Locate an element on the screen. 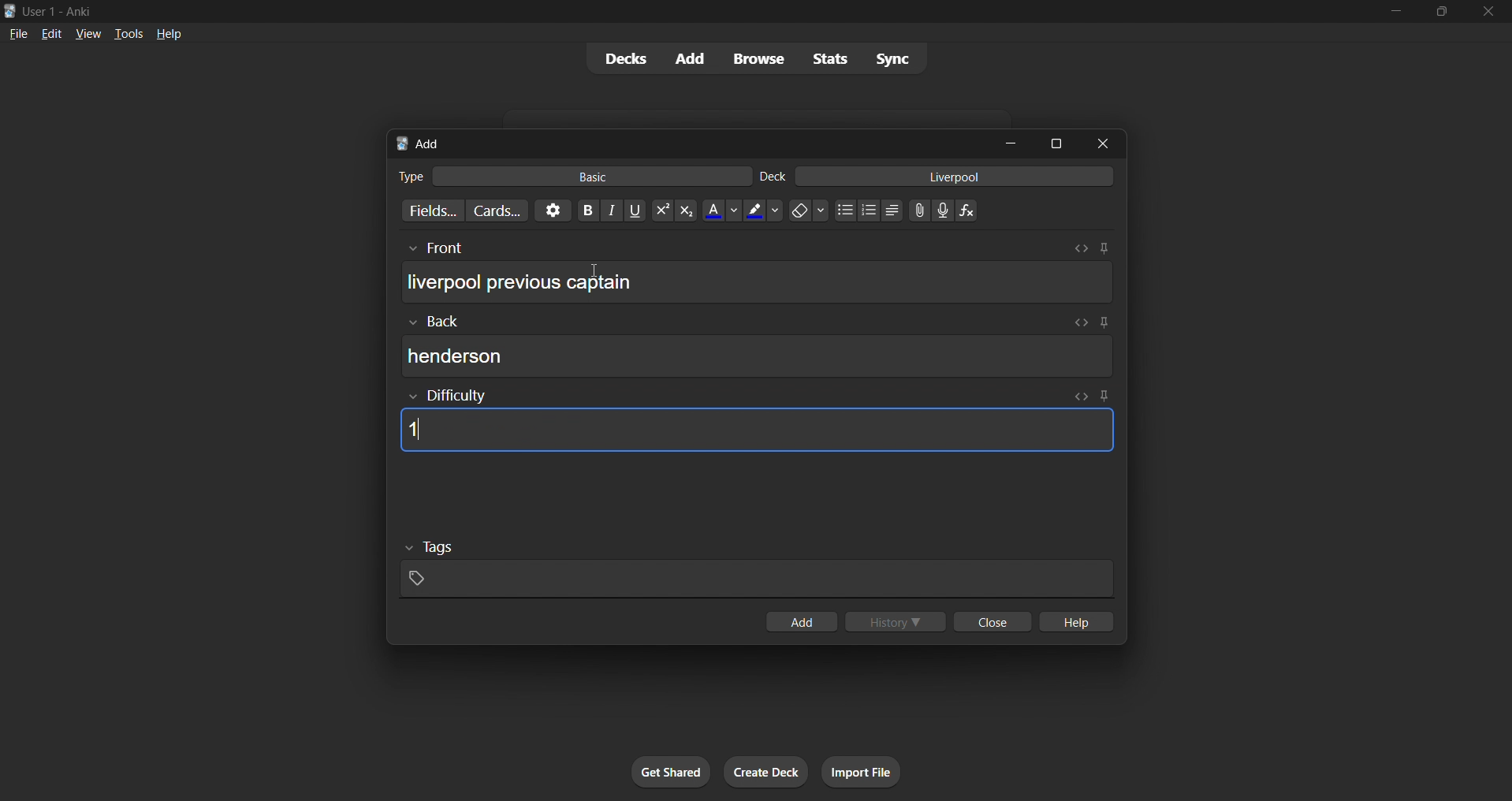 The height and width of the screenshot is (801, 1512). text highlight color is located at coordinates (763, 210).